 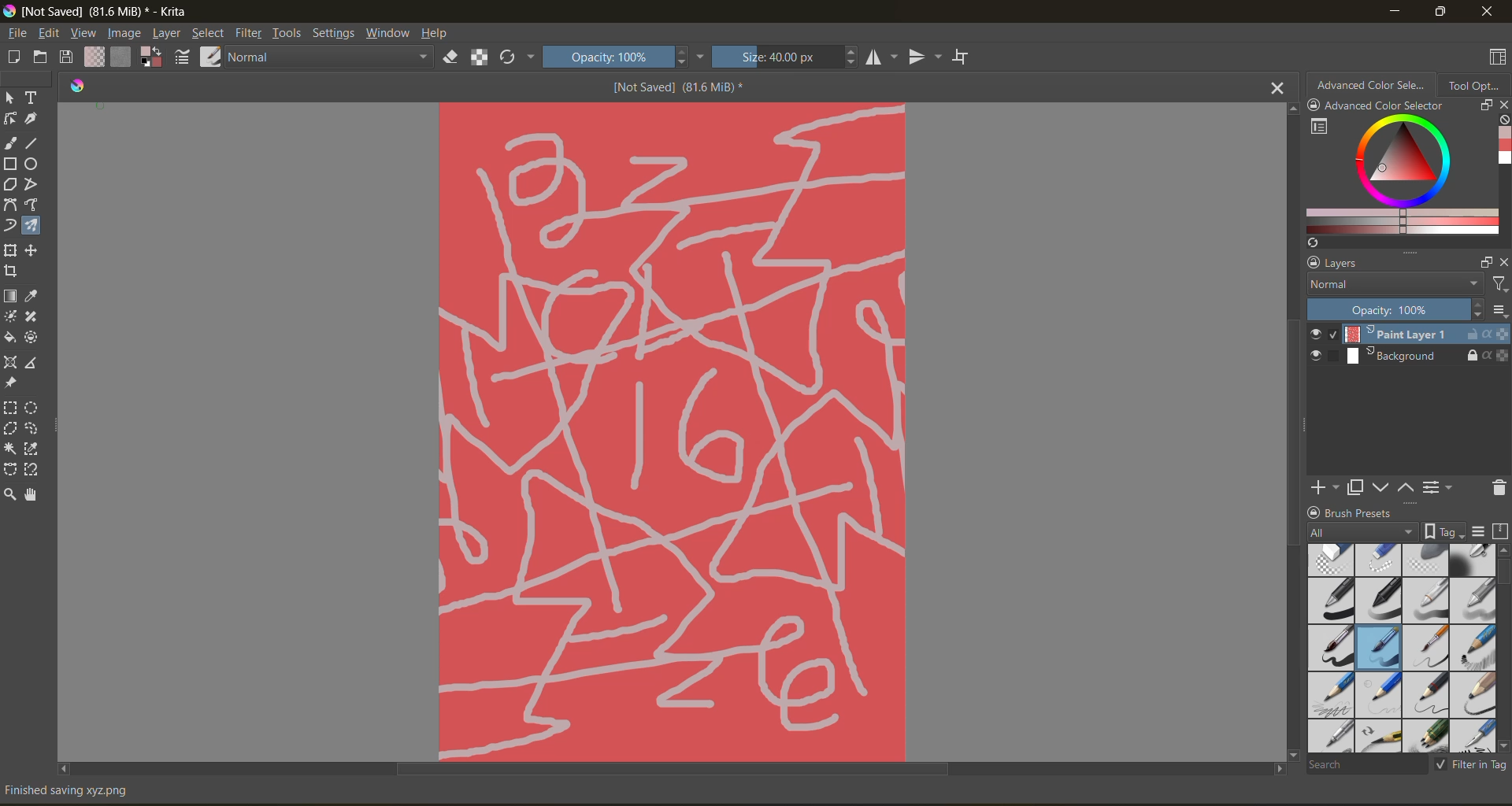 What do you see at coordinates (93, 57) in the screenshot?
I see `fill gradients` at bounding box center [93, 57].